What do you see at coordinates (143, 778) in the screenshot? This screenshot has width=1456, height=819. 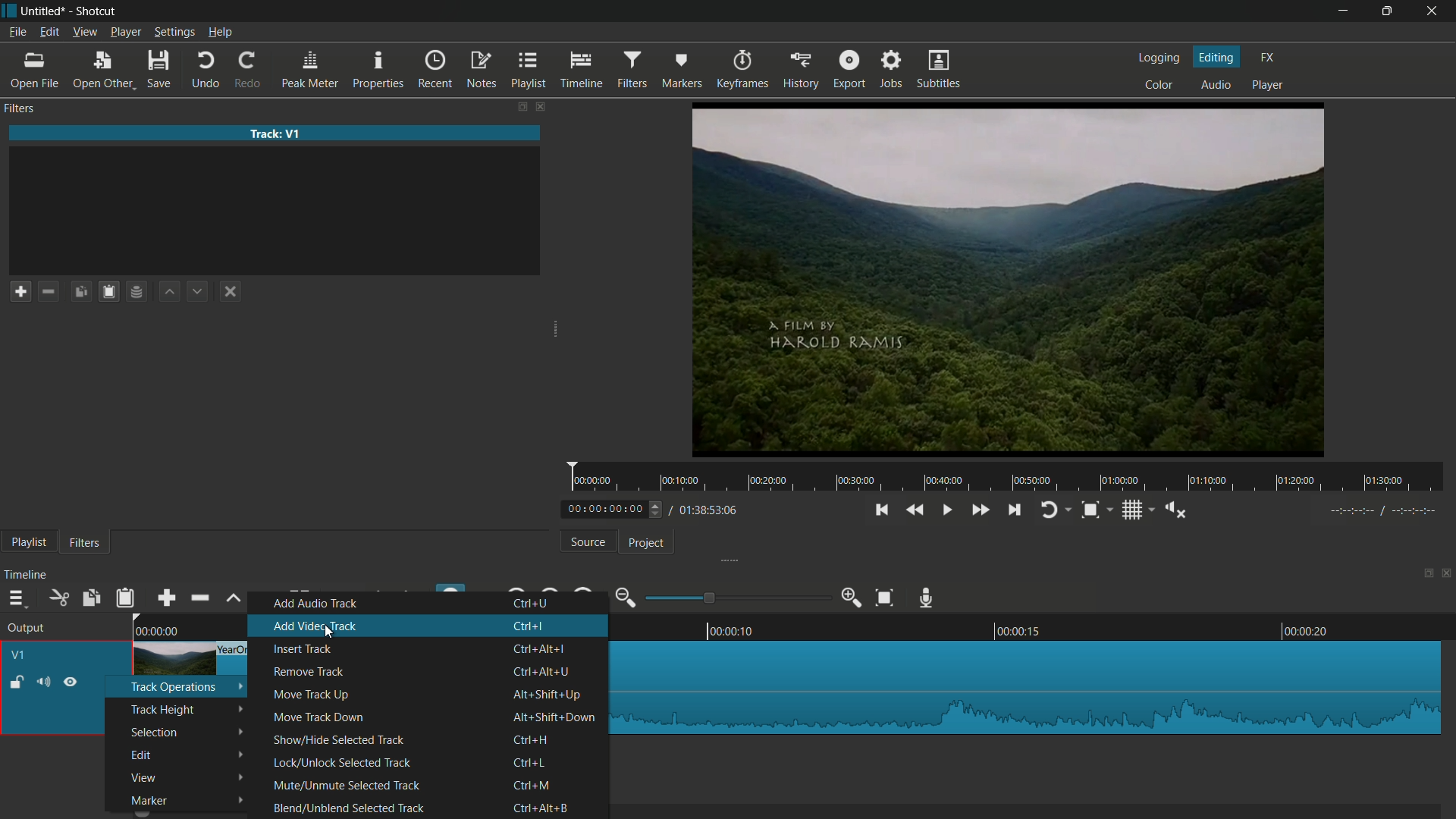 I see `view` at bounding box center [143, 778].